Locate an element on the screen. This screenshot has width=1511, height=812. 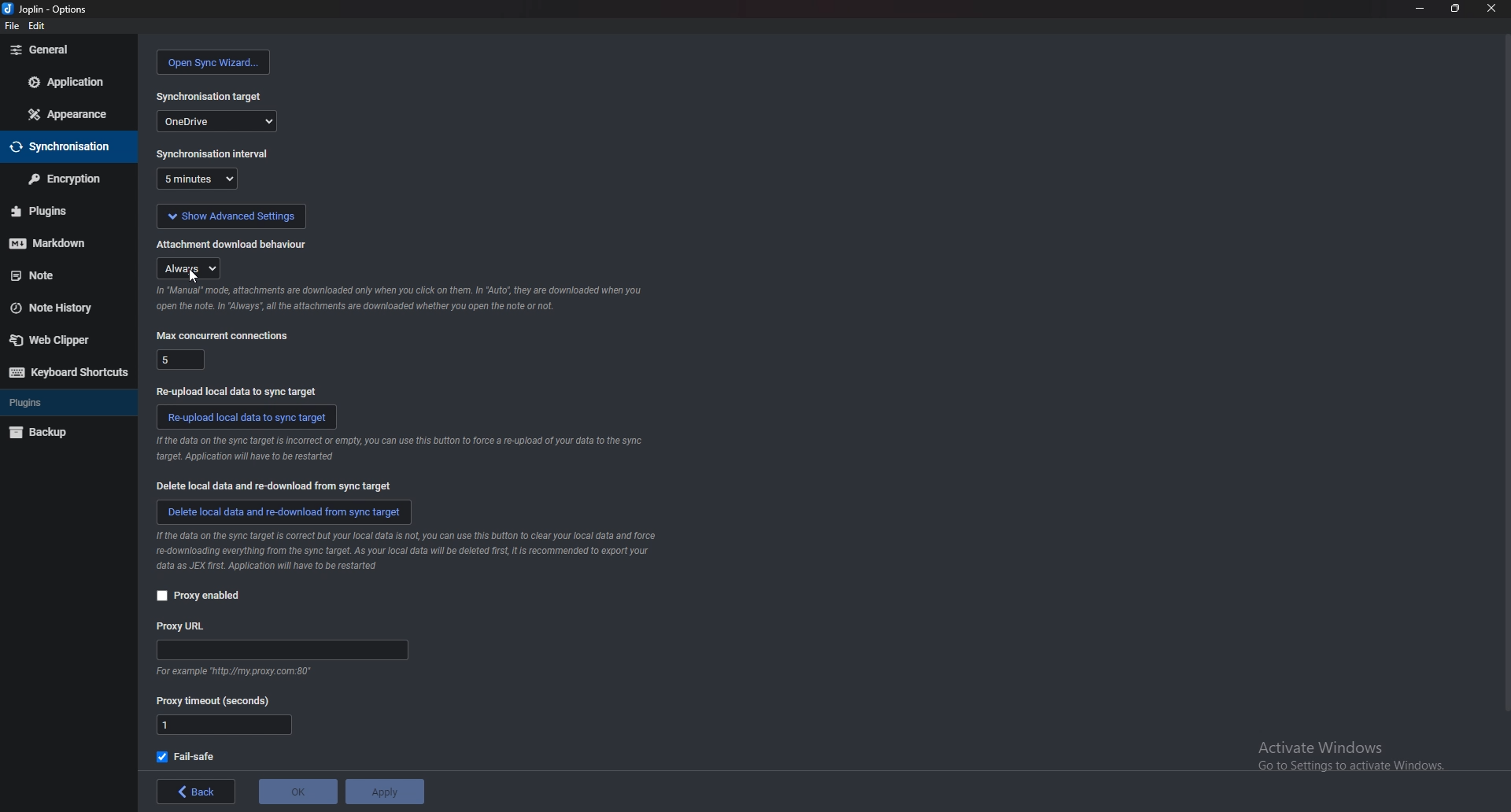
re upload local data is located at coordinates (247, 417).